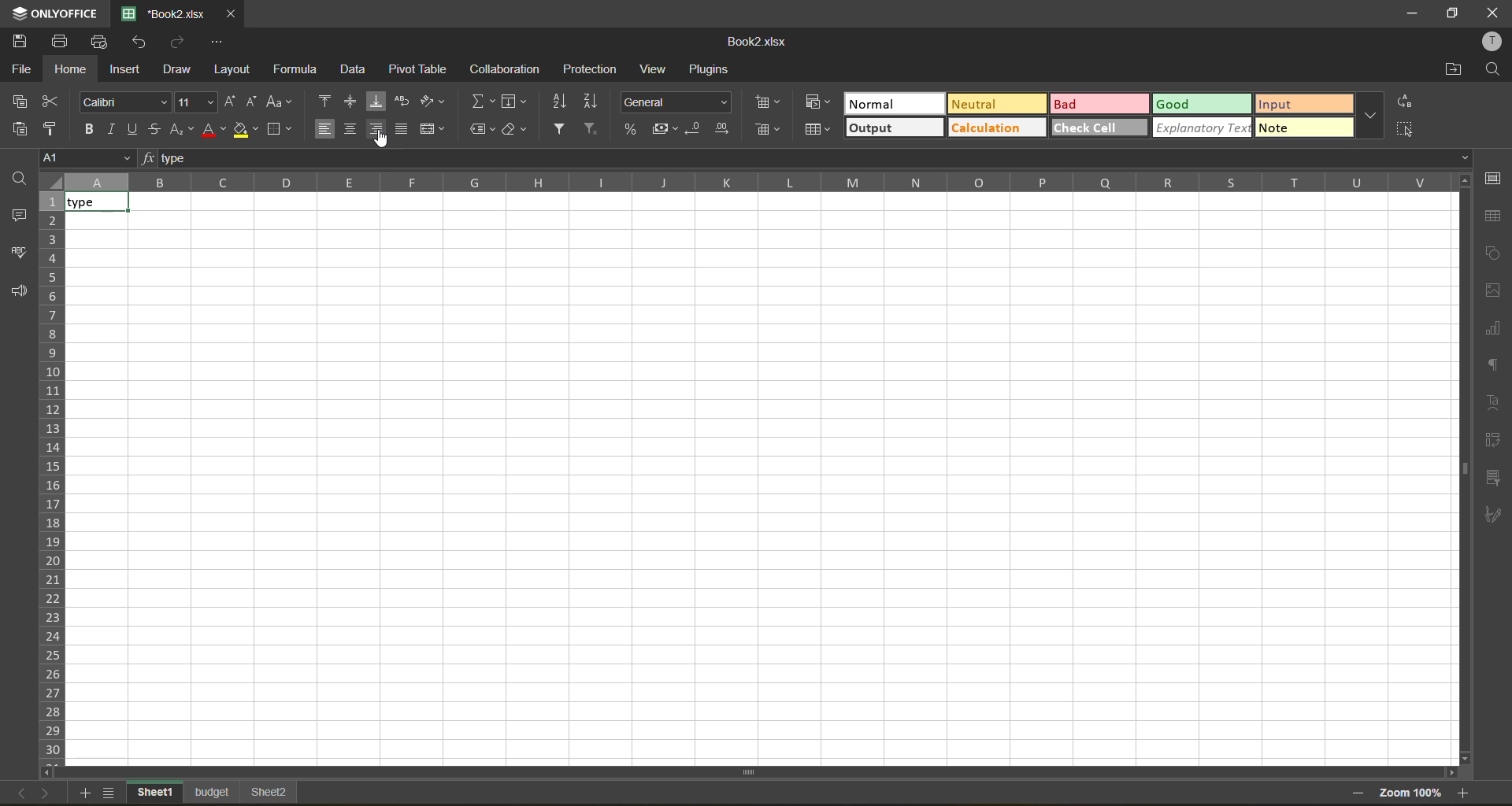  Describe the element at coordinates (1403, 102) in the screenshot. I see `replace` at that location.